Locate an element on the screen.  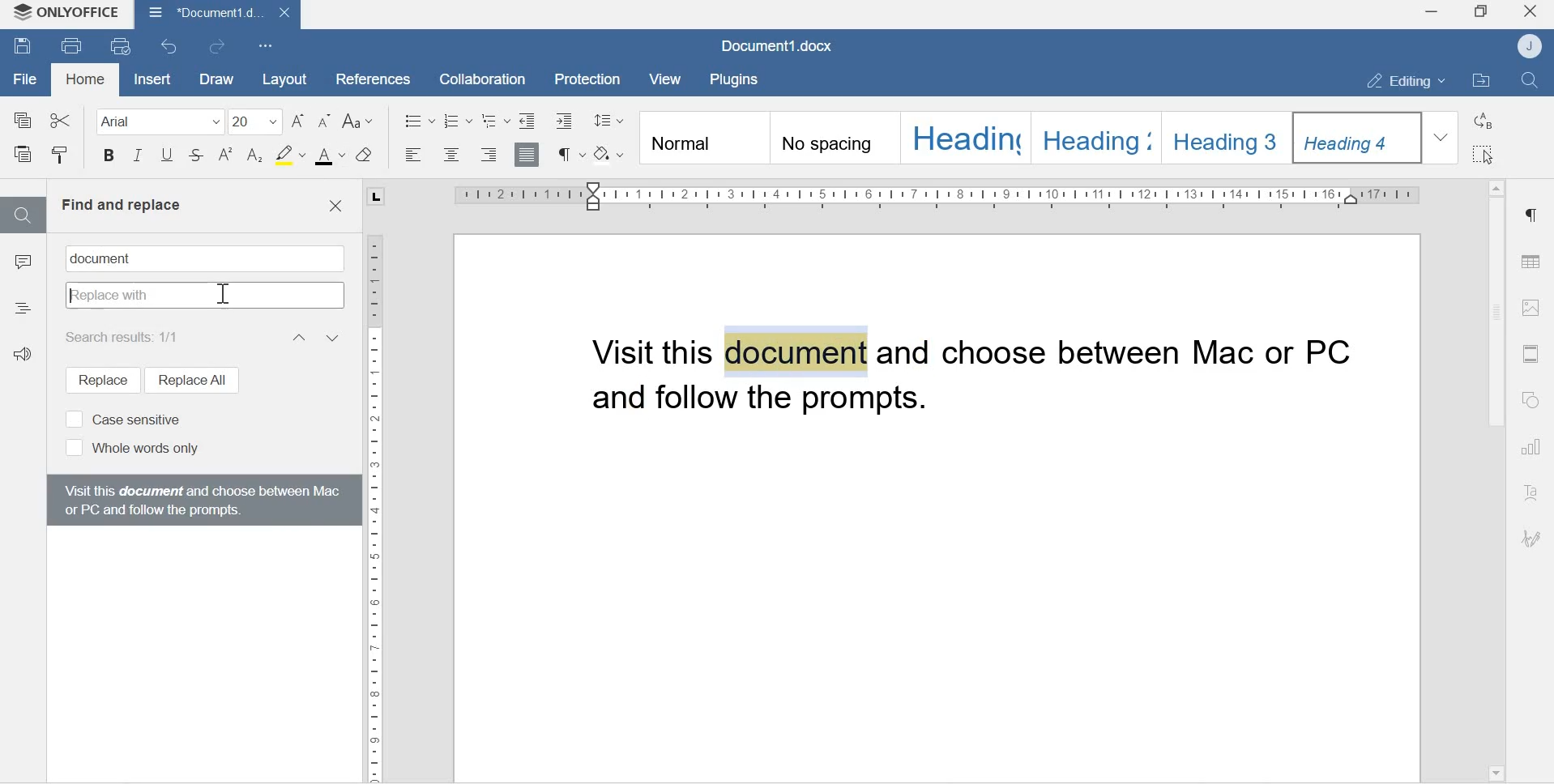
Save is located at coordinates (23, 48).